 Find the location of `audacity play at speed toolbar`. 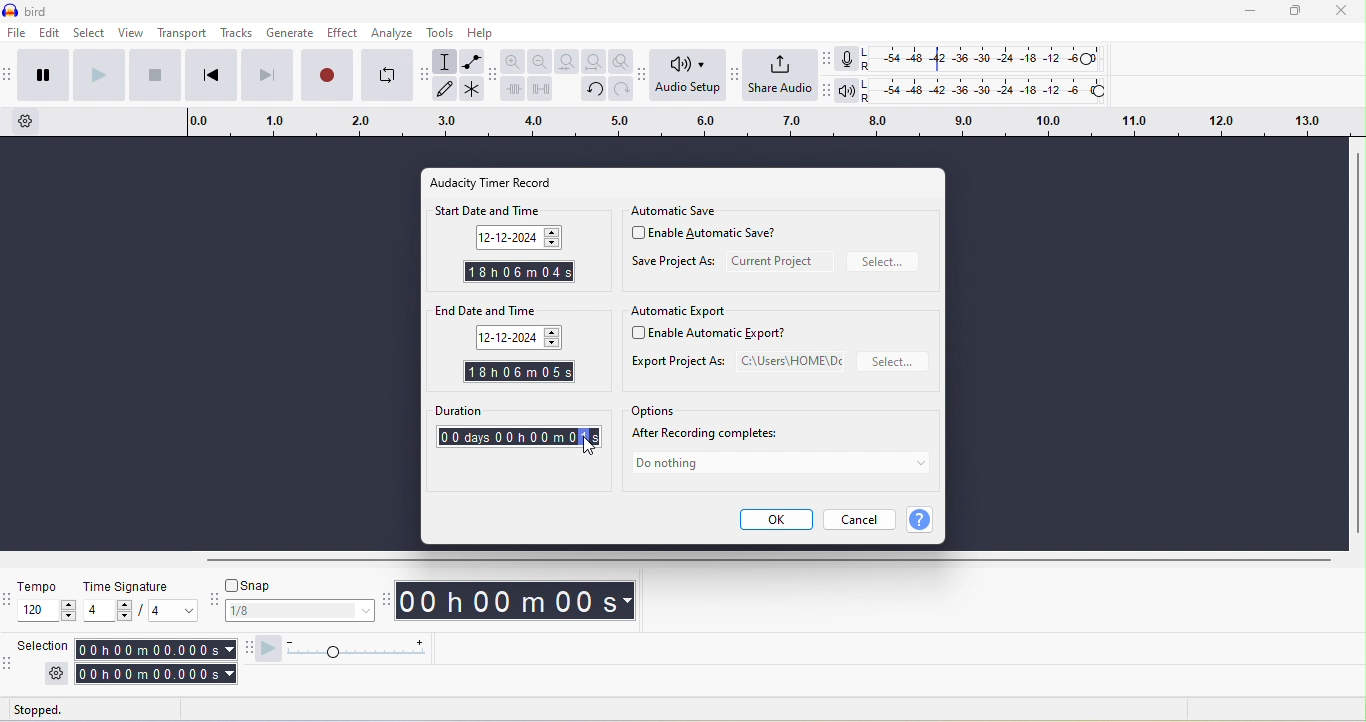

audacity play at speed toolbar is located at coordinates (268, 648).